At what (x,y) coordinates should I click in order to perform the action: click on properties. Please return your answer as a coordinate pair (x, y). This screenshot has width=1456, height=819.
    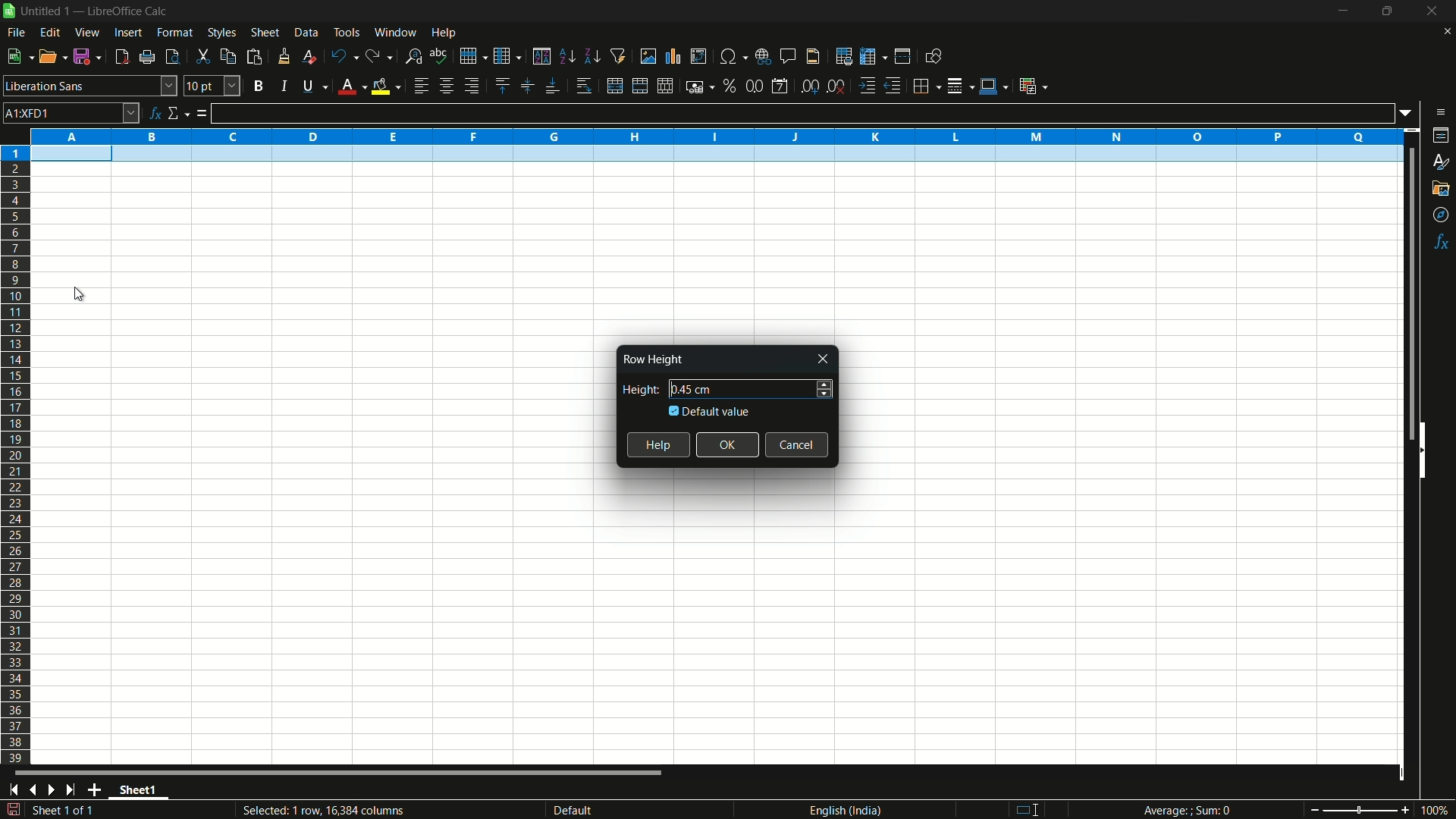
    Looking at the image, I should click on (1442, 135).